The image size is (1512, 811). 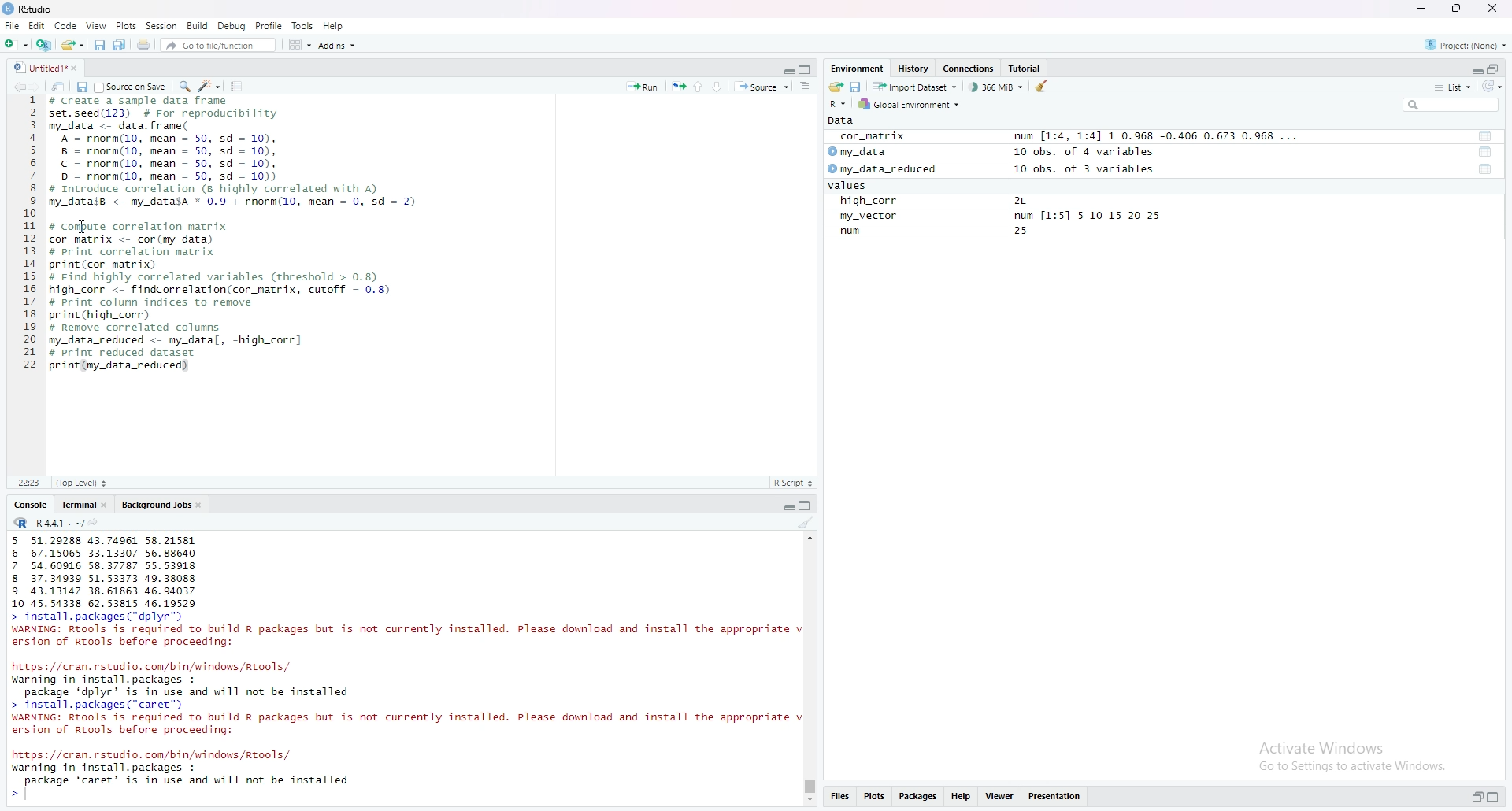 I want to click on Packages, so click(x=917, y=797).